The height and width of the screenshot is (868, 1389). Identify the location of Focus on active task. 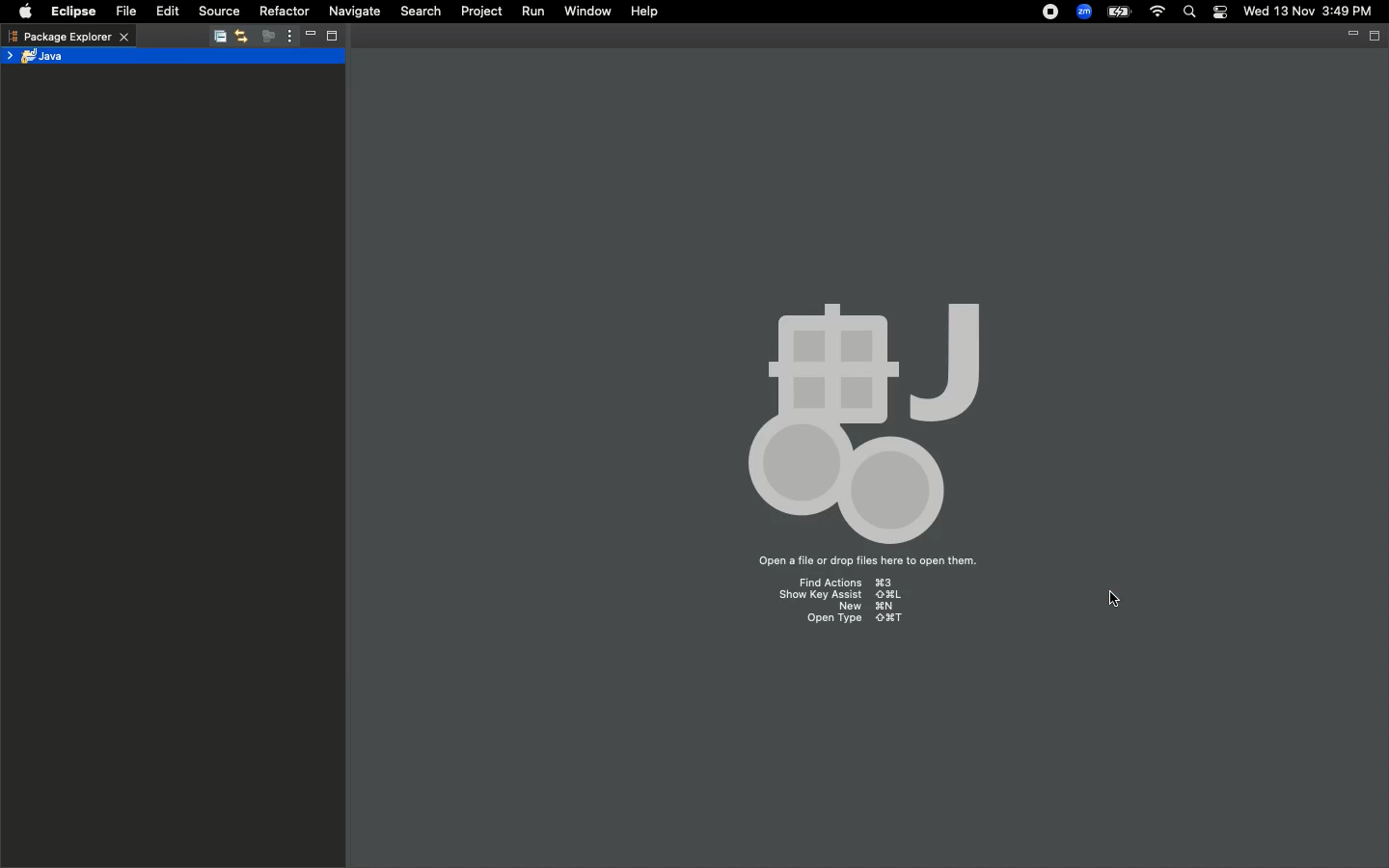
(266, 38).